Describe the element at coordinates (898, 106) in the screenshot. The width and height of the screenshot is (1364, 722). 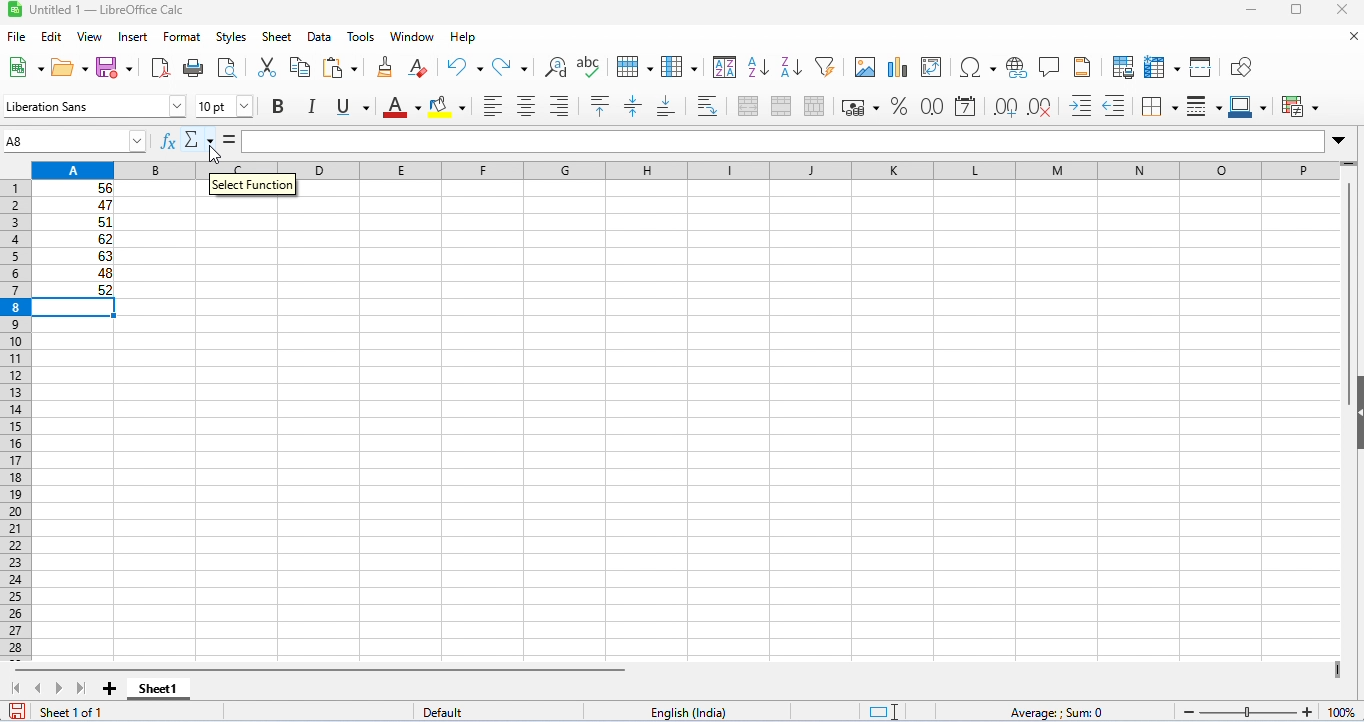
I see `format as percent` at that location.